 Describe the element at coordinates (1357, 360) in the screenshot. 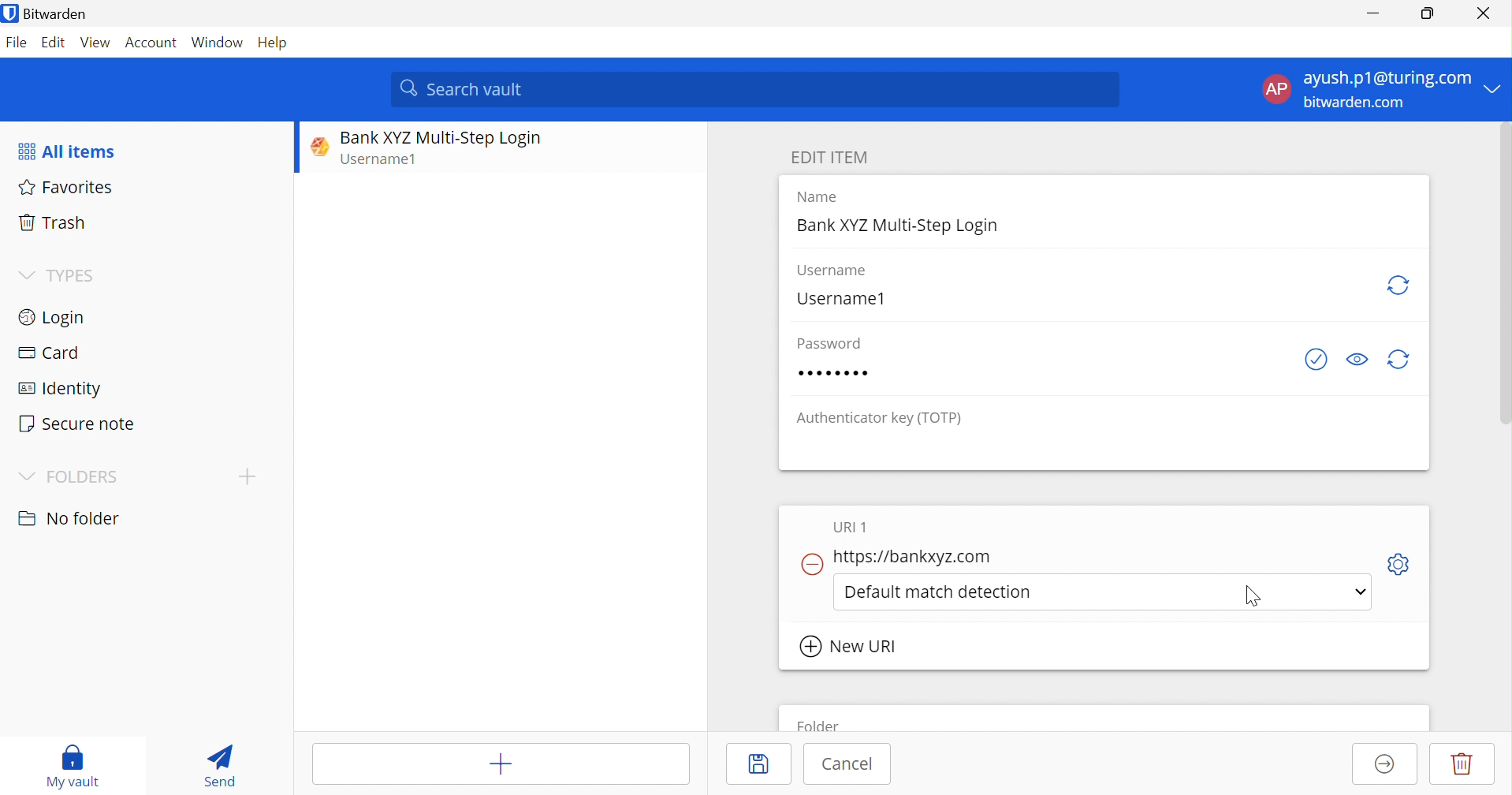

I see `Toggle visibility` at that location.